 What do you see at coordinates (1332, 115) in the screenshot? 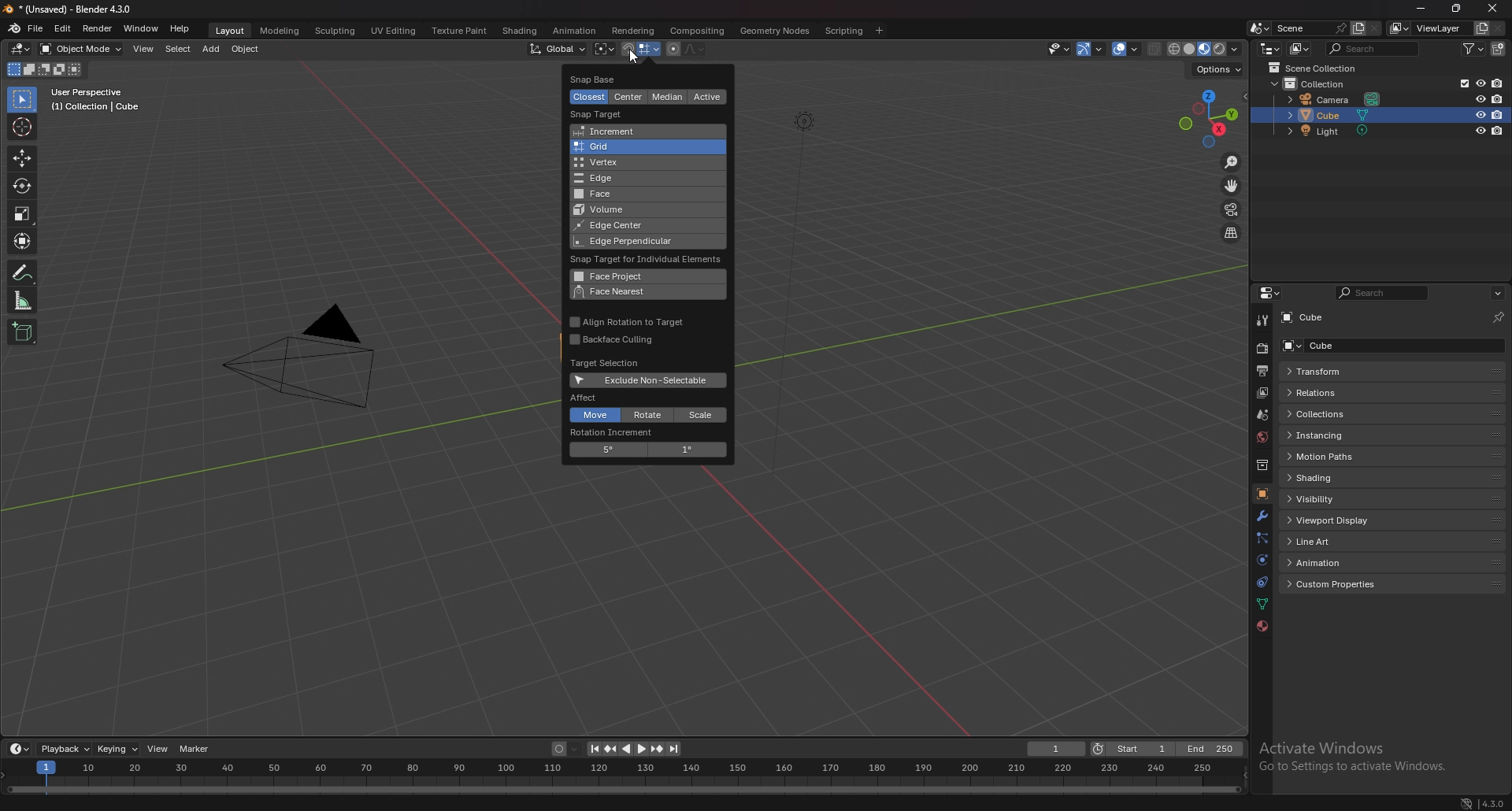
I see `cube` at bounding box center [1332, 115].